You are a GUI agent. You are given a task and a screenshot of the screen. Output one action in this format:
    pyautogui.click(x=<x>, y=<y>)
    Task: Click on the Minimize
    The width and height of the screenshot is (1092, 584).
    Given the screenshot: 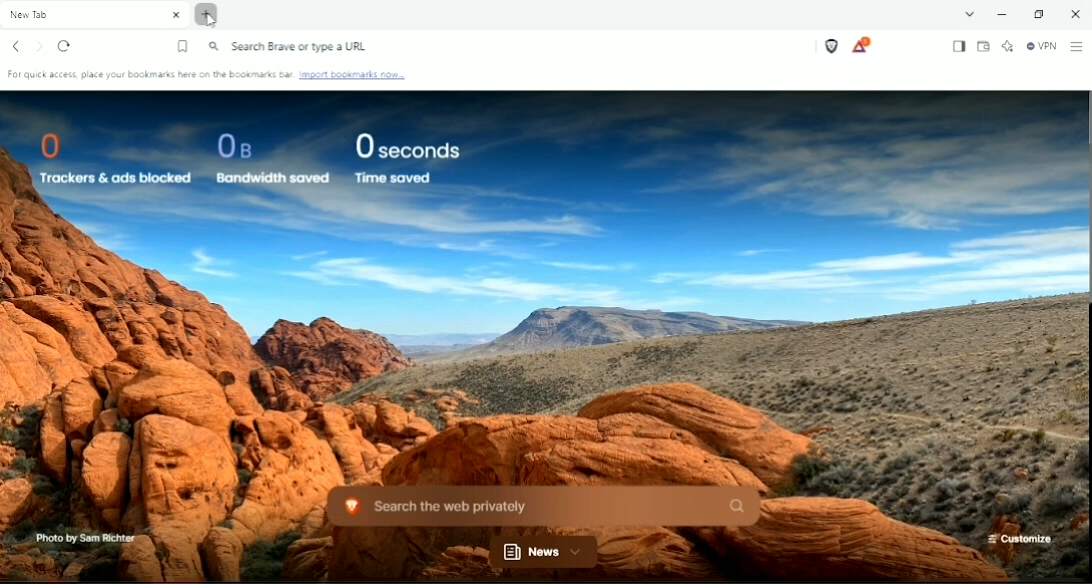 What is the action you would take?
    pyautogui.click(x=1001, y=14)
    